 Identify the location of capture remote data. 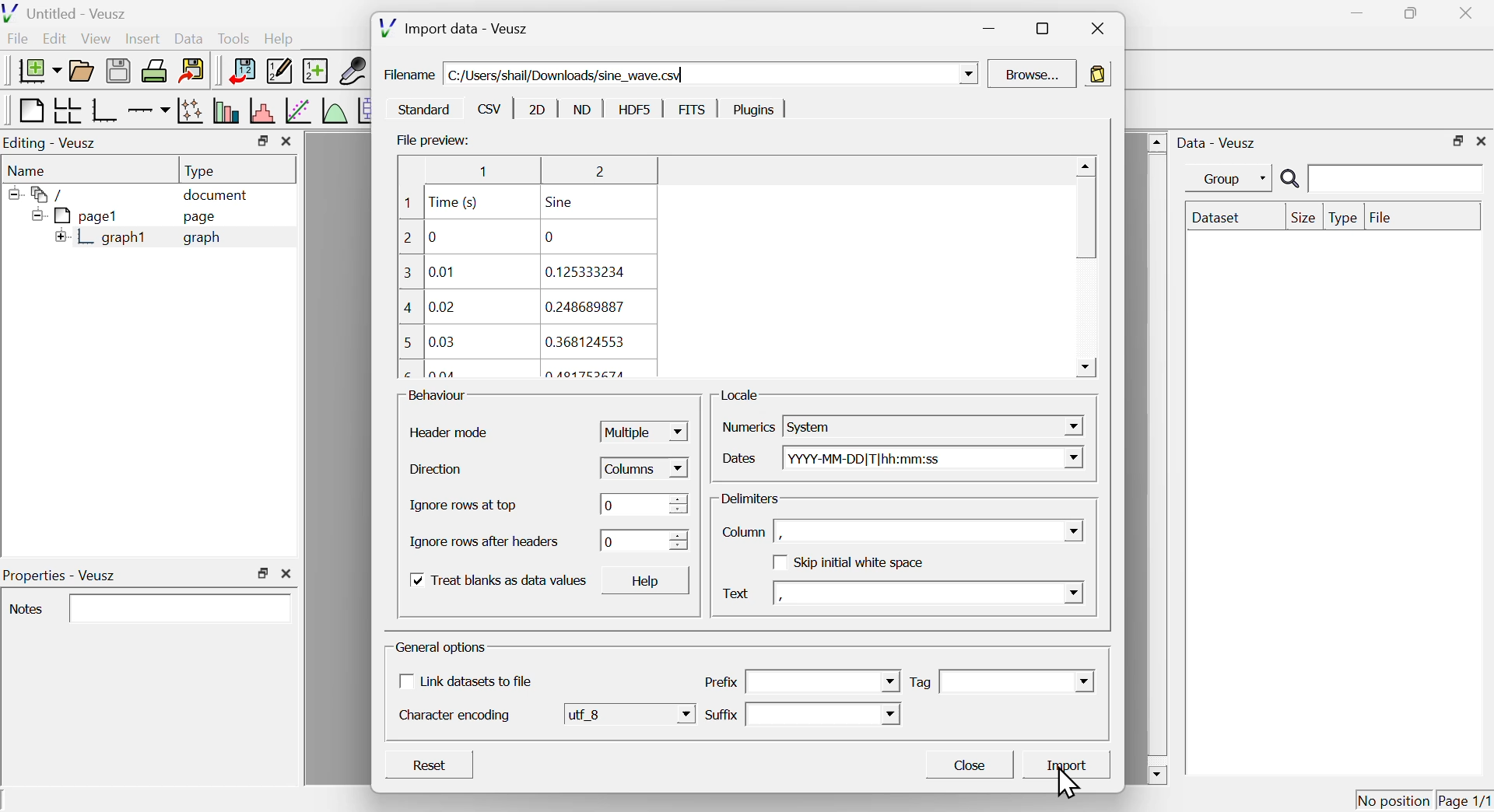
(352, 71).